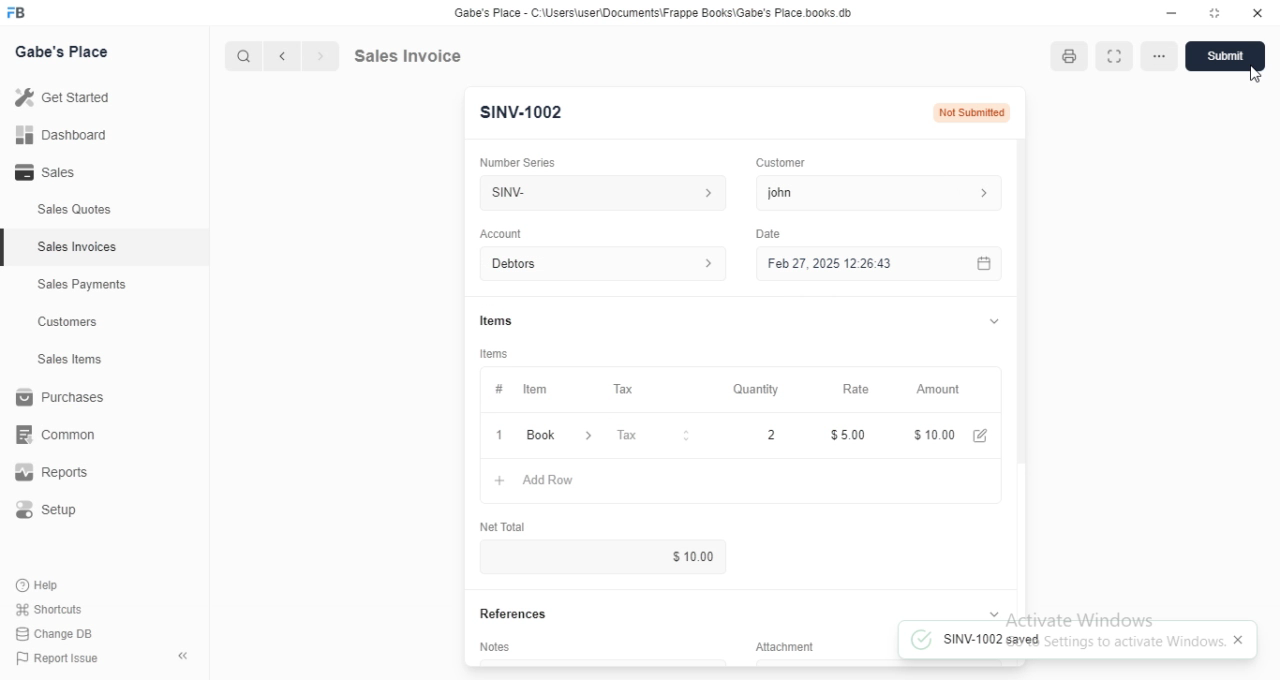 The image size is (1280, 680). Describe the element at coordinates (885, 192) in the screenshot. I see `john >` at that location.